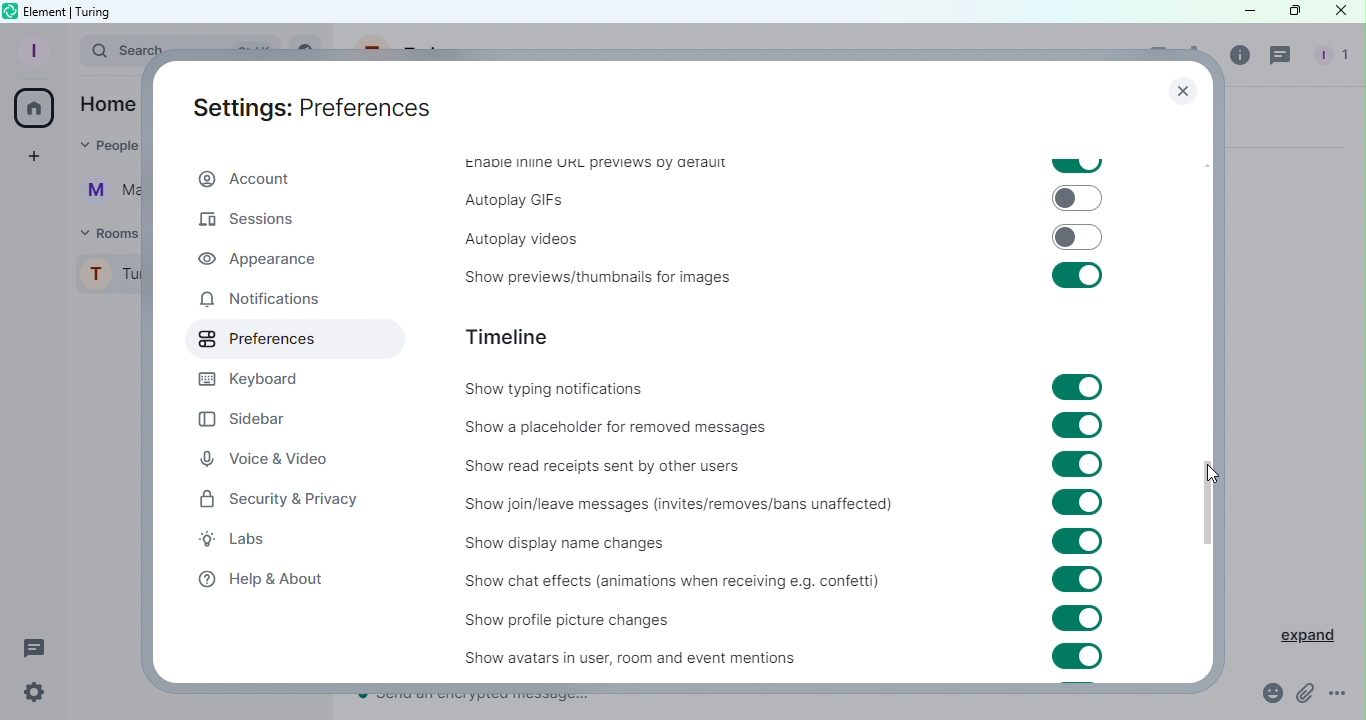 Image resolution: width=1366 pixels, height=720 pixels. I want to click on Minimize, so click(1237, 12).